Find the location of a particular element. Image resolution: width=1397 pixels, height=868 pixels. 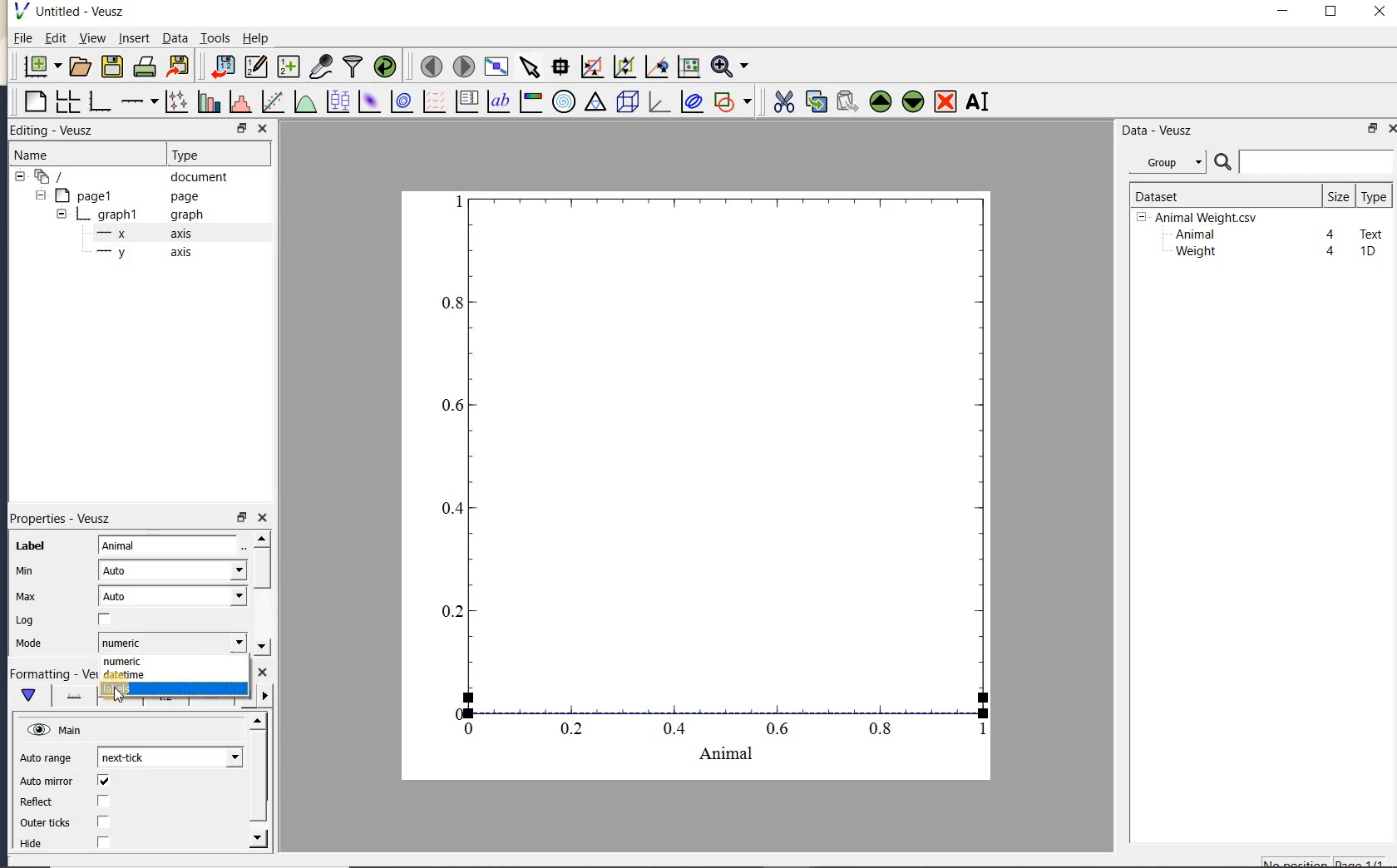

axis line is located at coordinates (71, 696).